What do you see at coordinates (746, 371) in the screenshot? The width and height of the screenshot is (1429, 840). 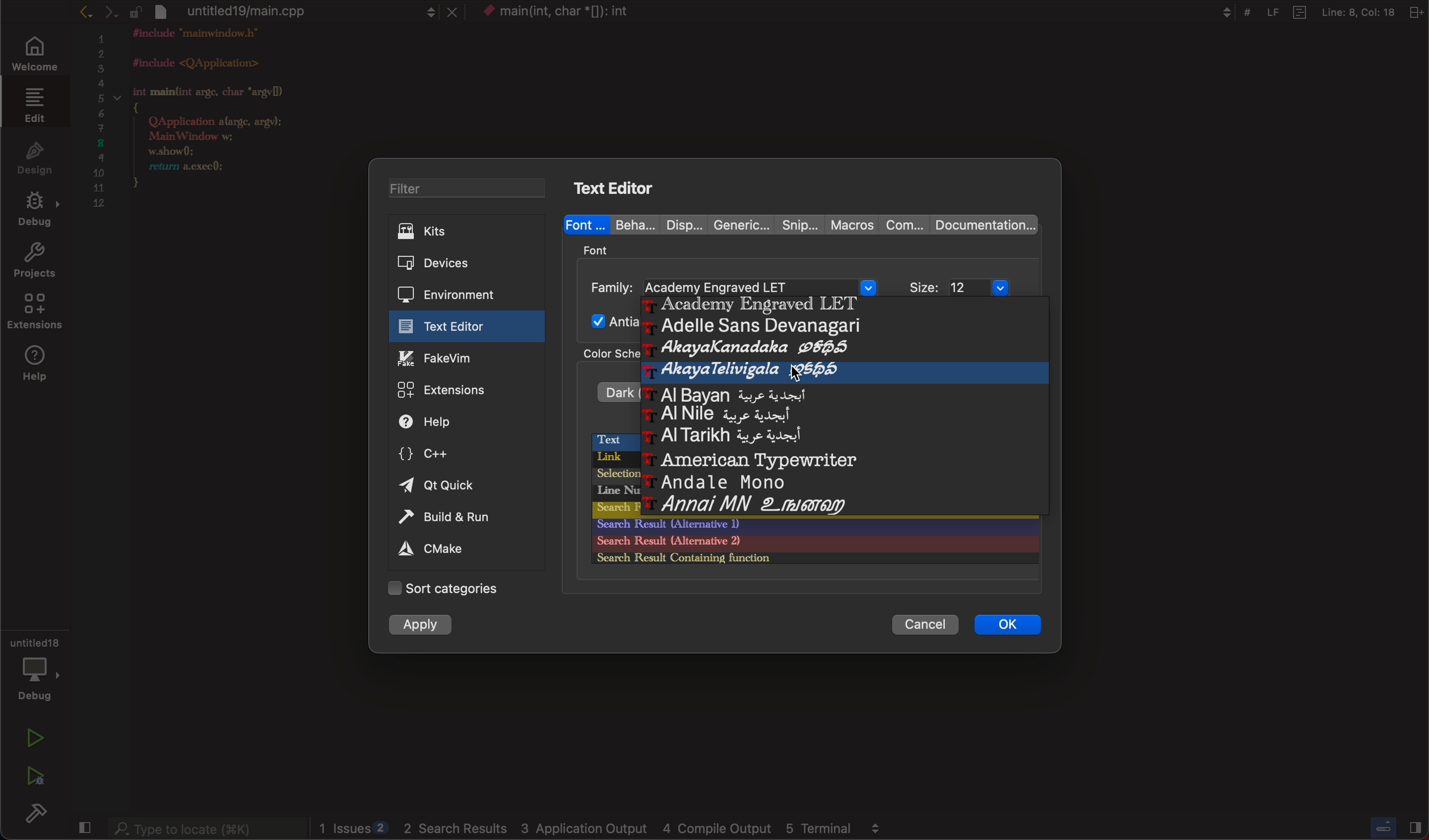 I see `akaya telivilgair` at bounding box center [746, 371].